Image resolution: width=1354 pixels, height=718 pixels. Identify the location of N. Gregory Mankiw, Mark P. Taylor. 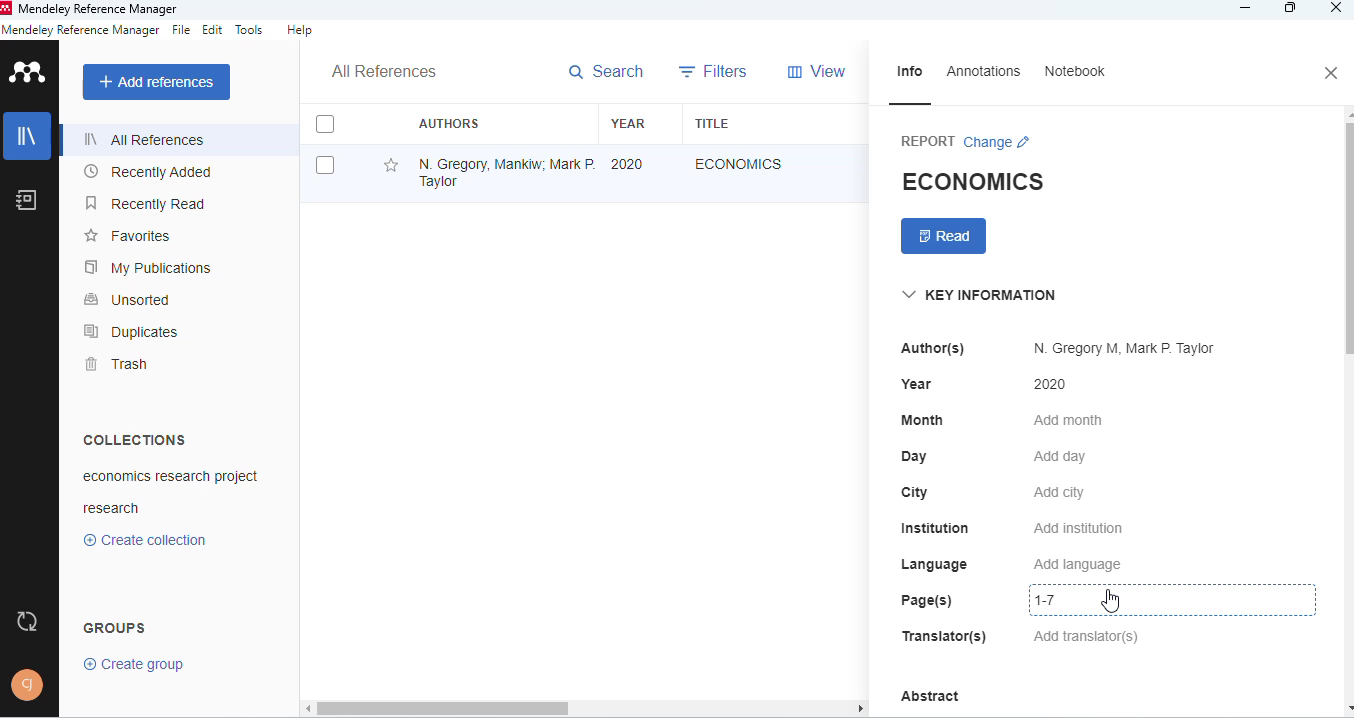
(505, 172).